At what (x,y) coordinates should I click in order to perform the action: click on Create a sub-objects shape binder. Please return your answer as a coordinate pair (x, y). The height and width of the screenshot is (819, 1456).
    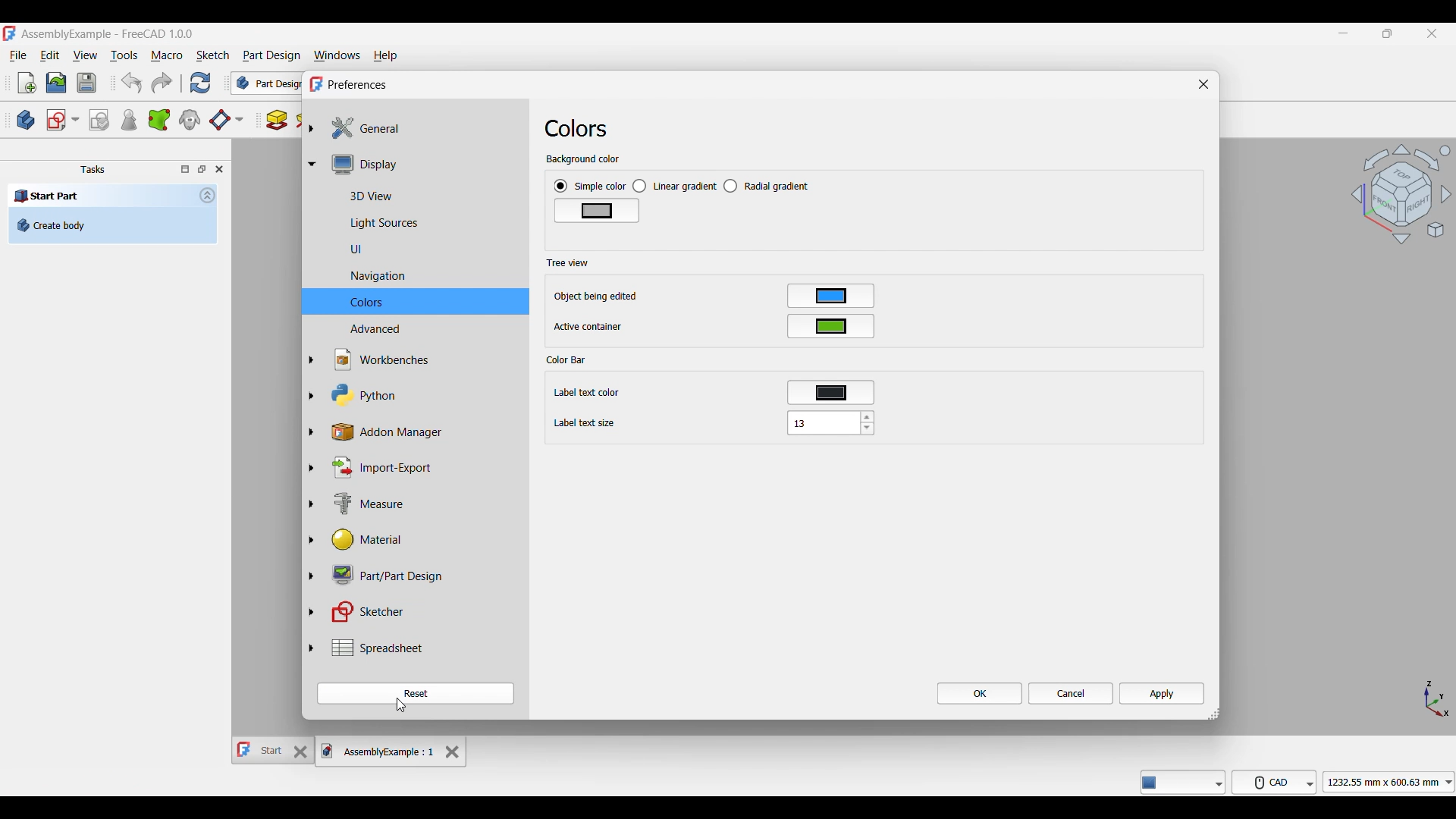
    Looking at the image, I should click on (158, 120).